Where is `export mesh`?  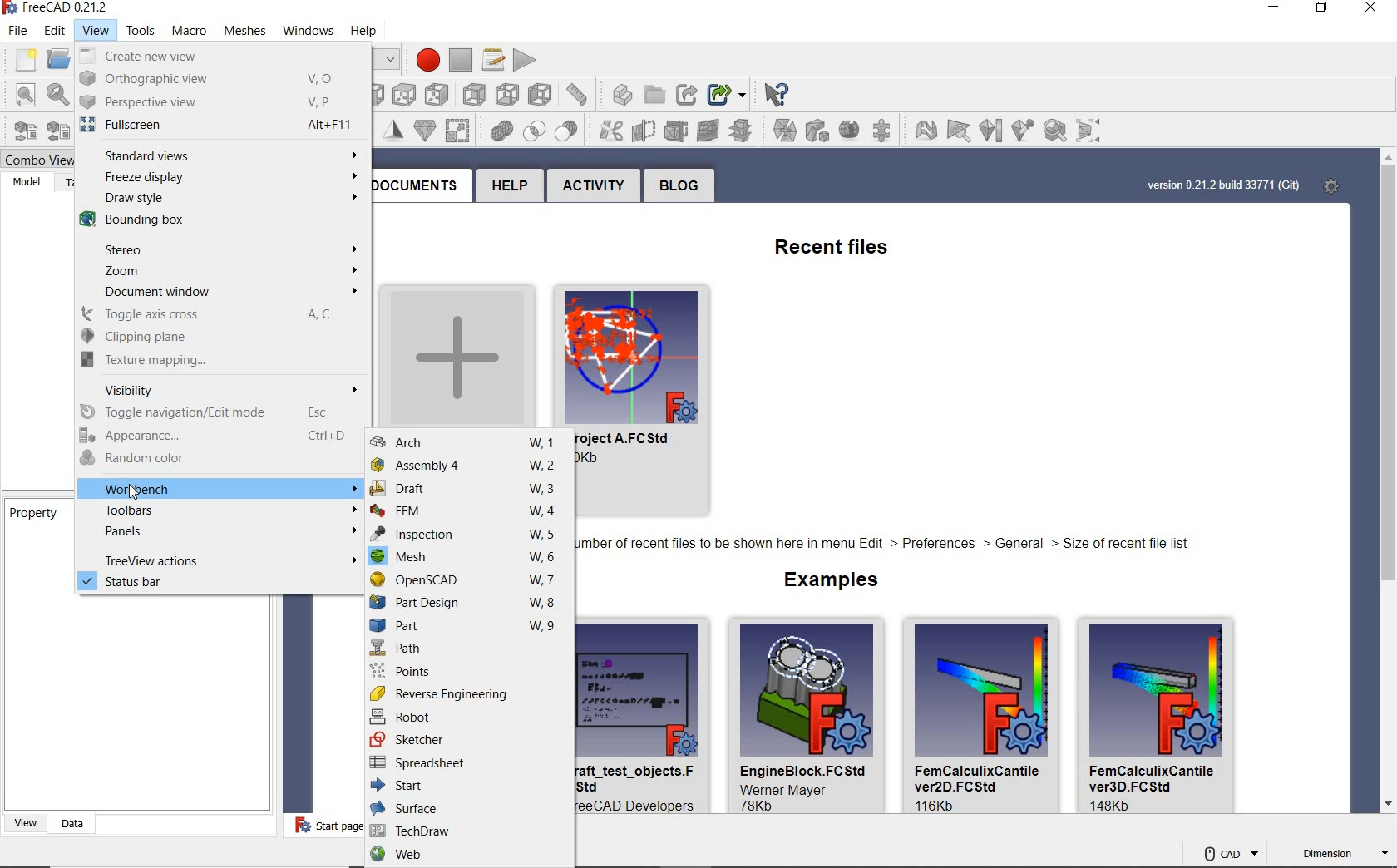 export mesh is located at coordinates (56, 130).